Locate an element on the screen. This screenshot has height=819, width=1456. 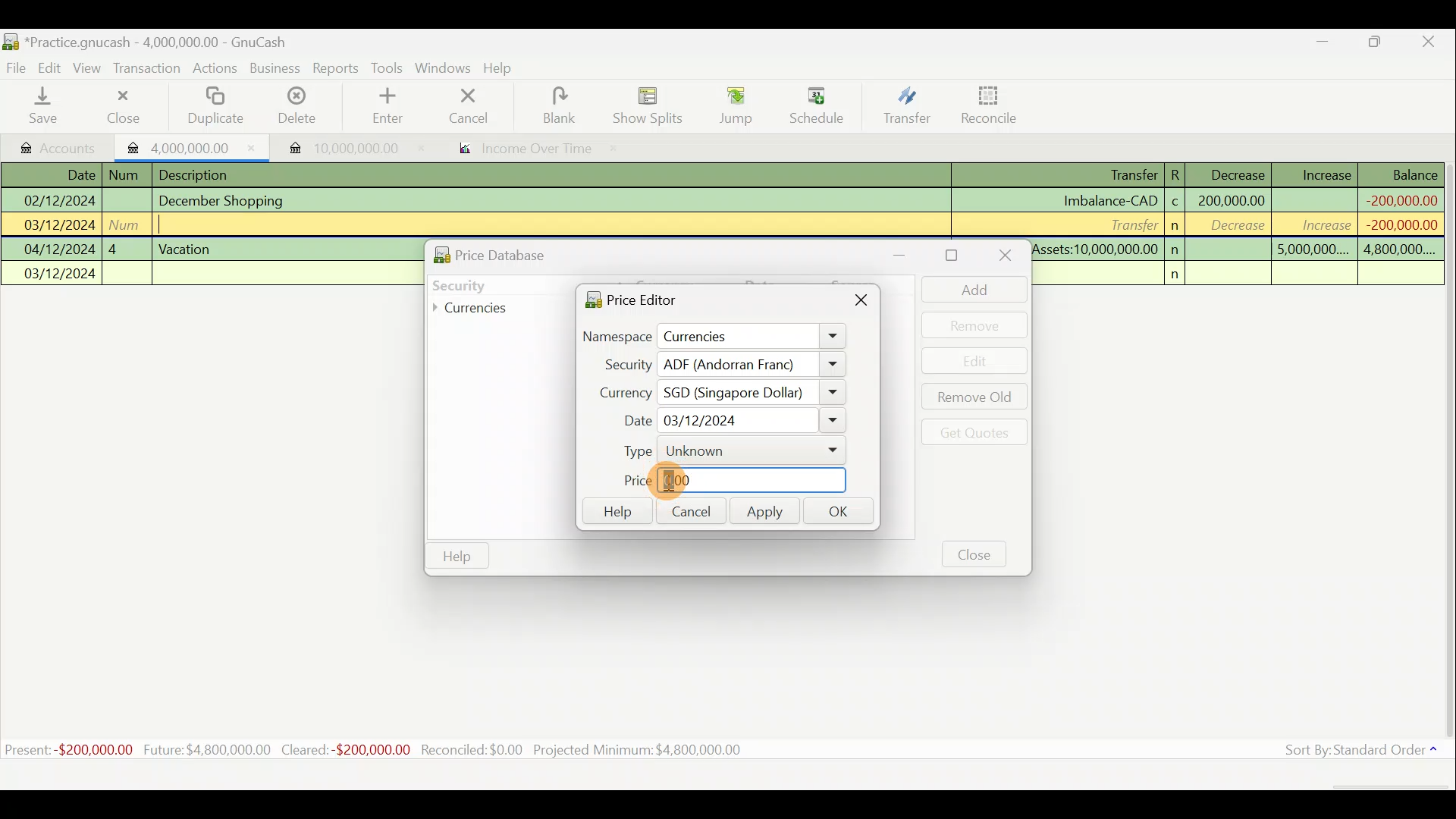
Save is located at coordinates (46, 107).